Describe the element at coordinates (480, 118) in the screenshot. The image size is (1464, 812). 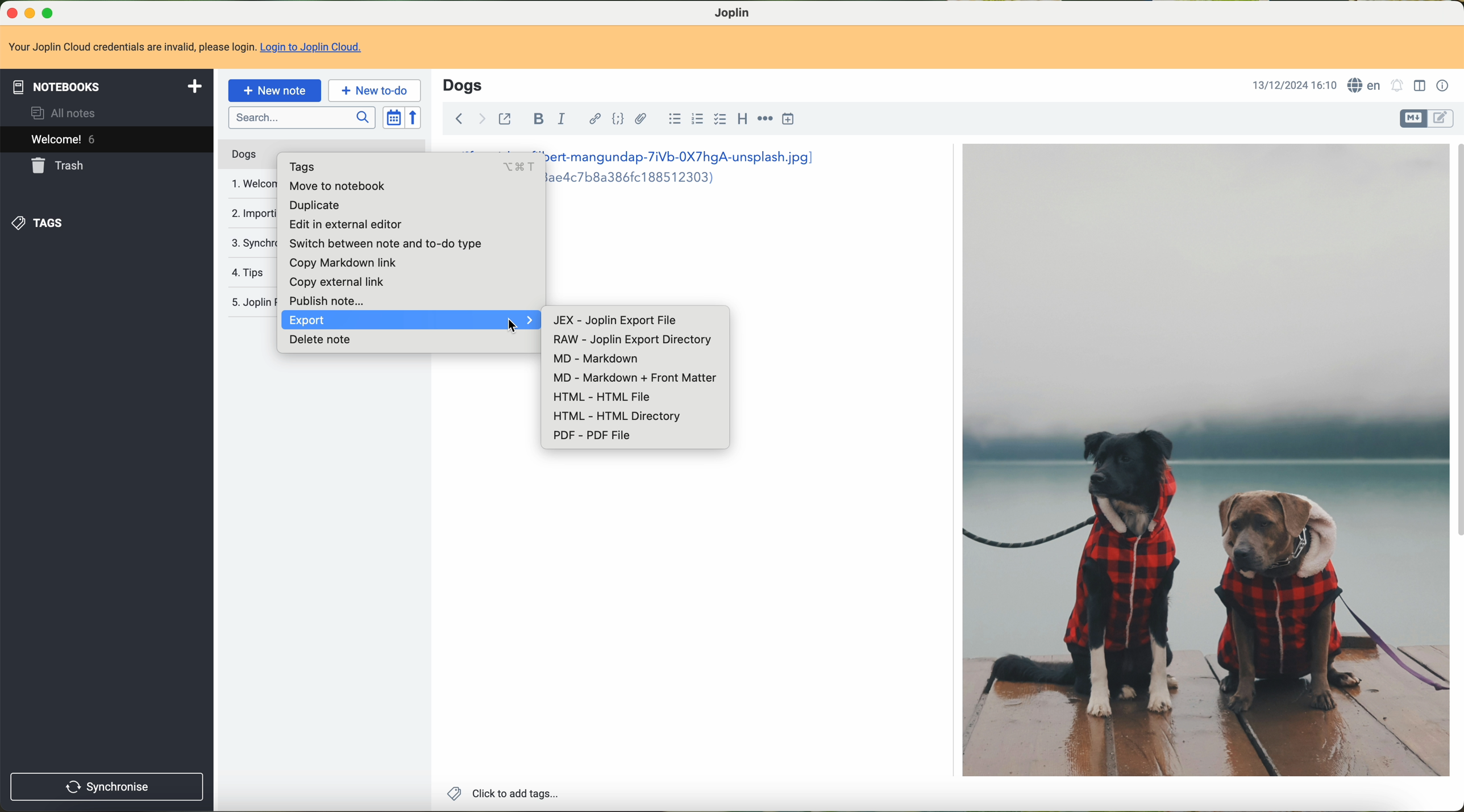
I see `navigate foward arrow` at that location.